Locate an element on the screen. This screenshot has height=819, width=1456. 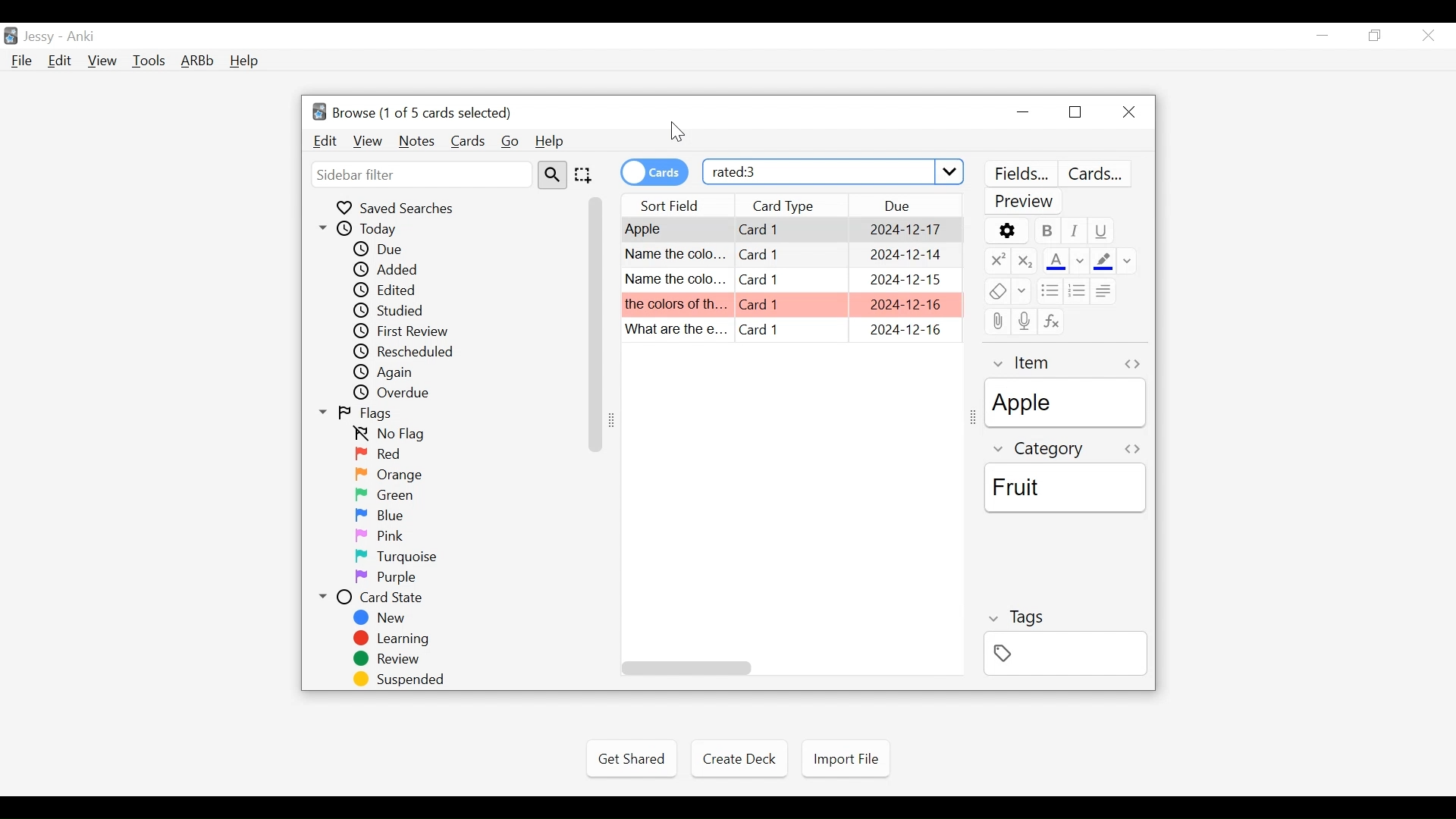
Rescheduled is located at coordinates (413, 353).